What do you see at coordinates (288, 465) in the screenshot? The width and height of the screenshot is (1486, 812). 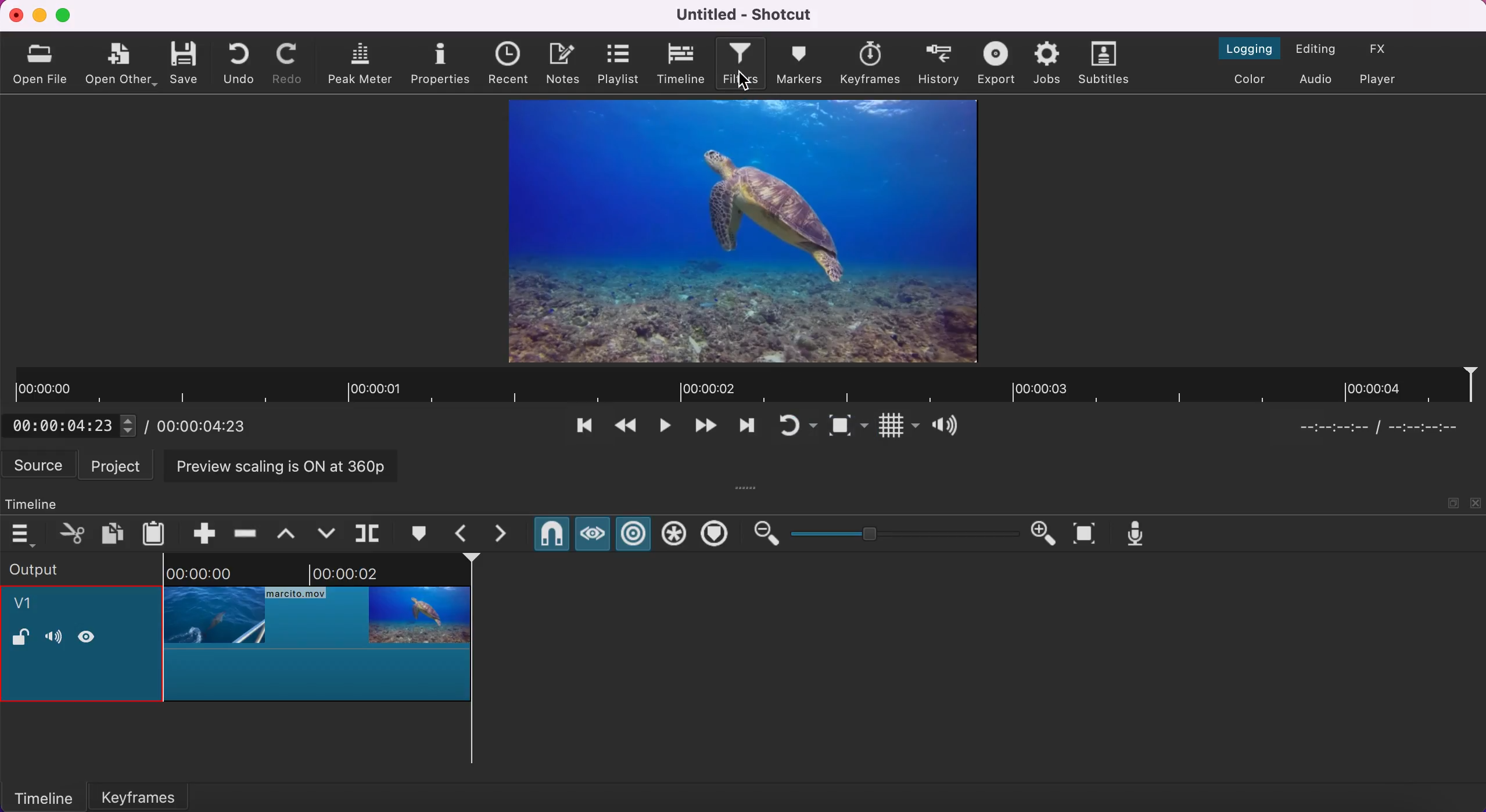 I see `preview scaling is on at 360p` at bounding box center [288, 465].